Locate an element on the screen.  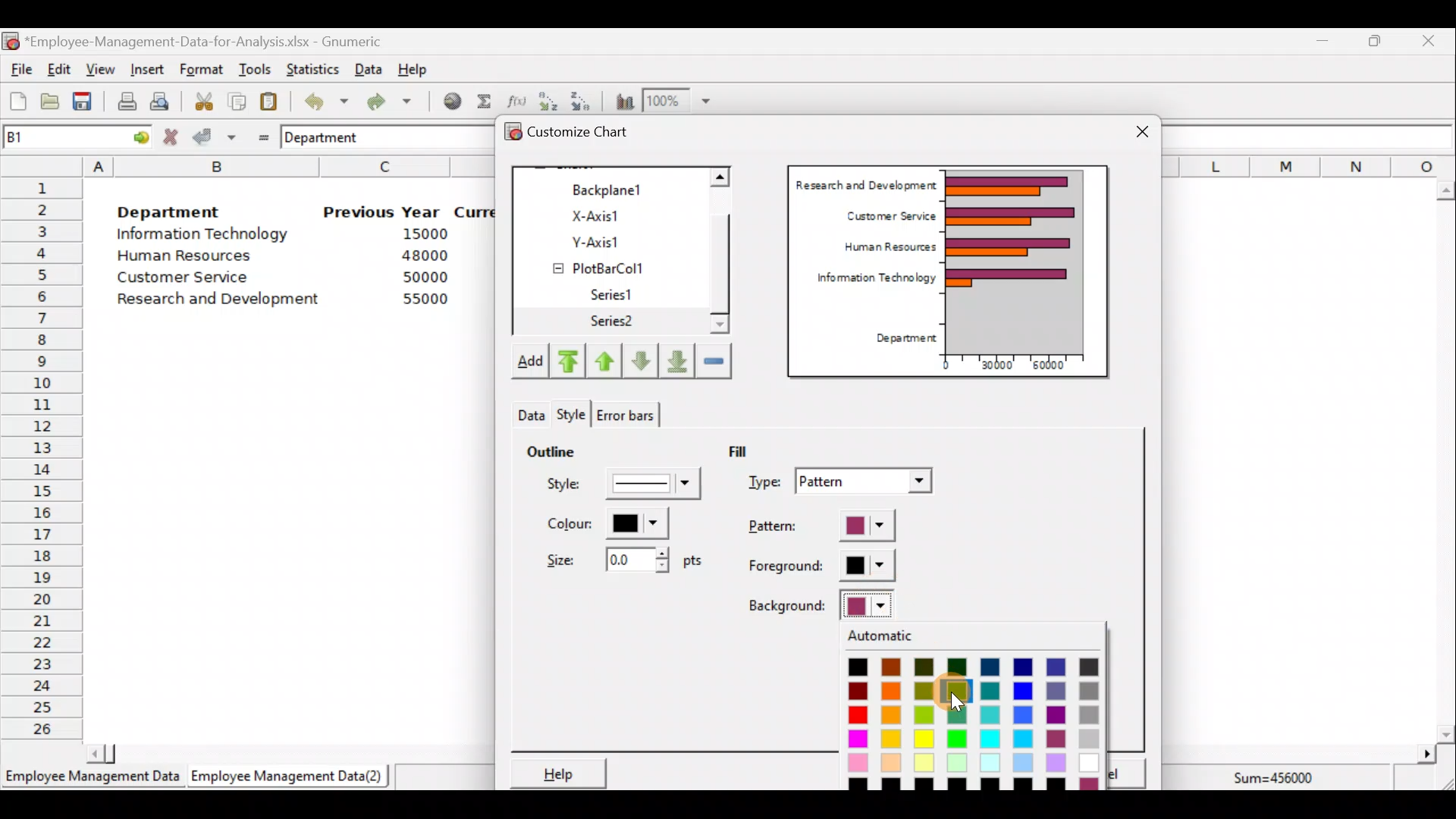
Customize chart is located at coordinates (588, 134).